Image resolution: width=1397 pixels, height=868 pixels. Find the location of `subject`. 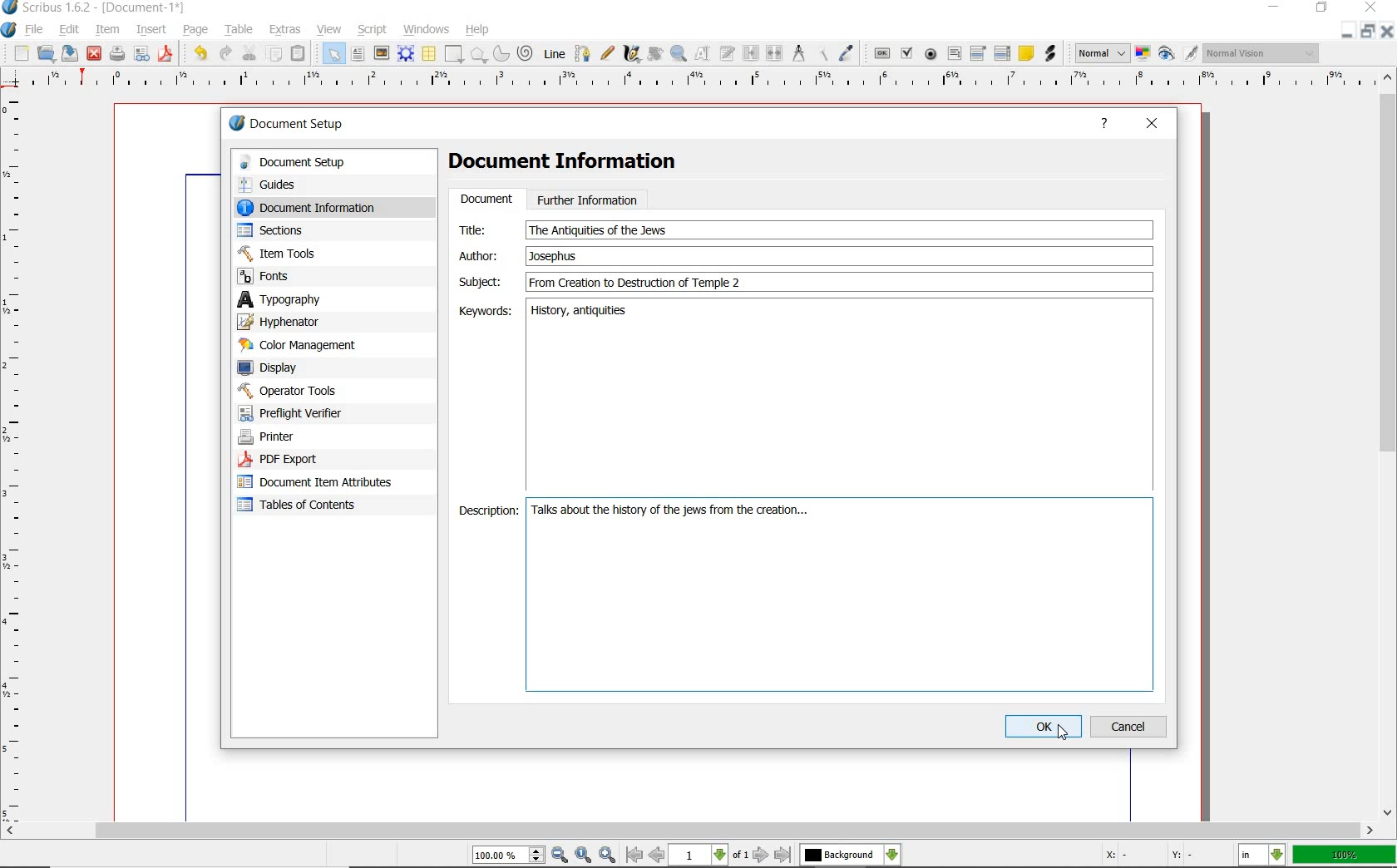

subject is located at coordinates (837, 282).